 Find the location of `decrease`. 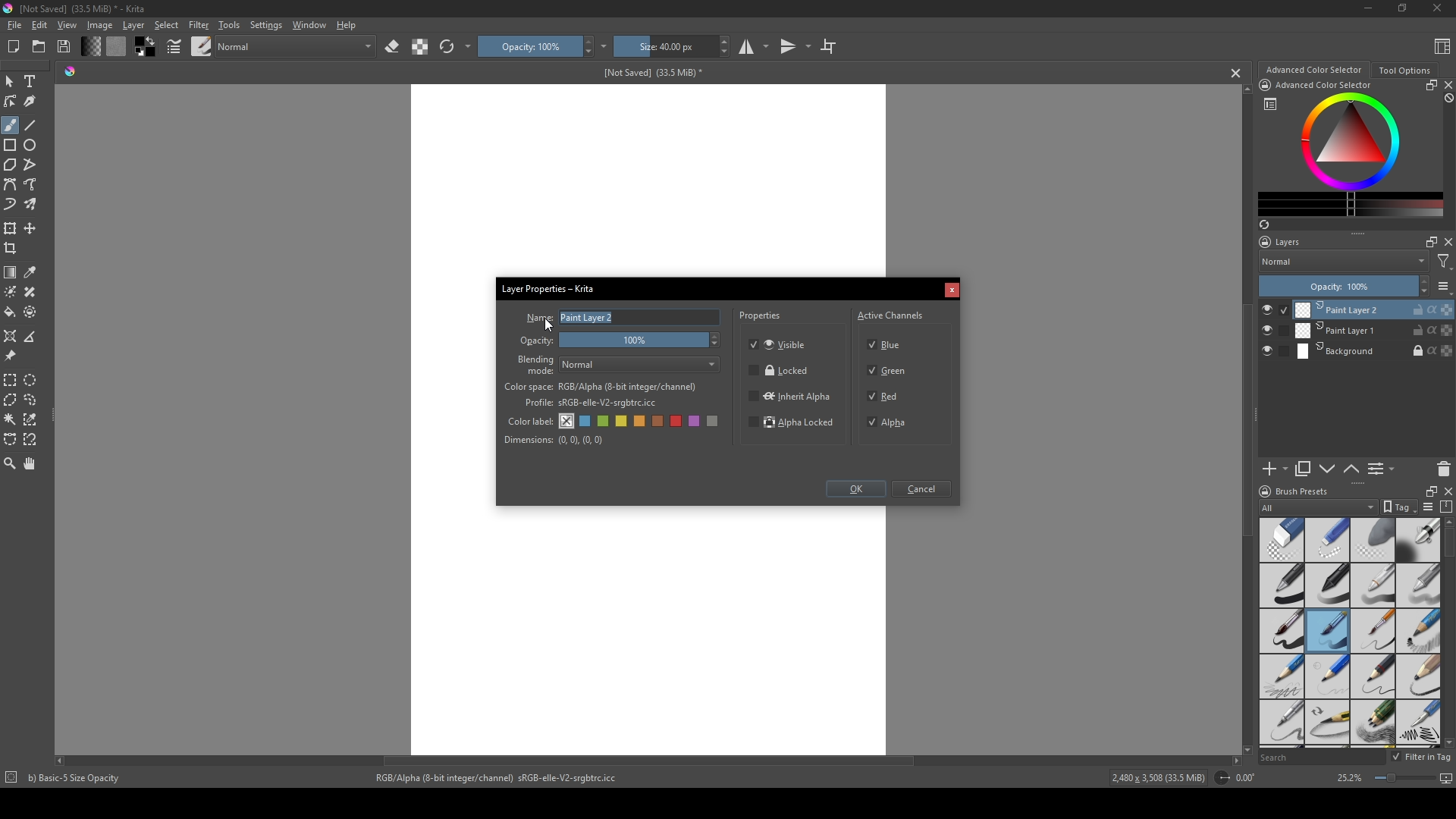

decrease is located at coordinates (1423, 293).